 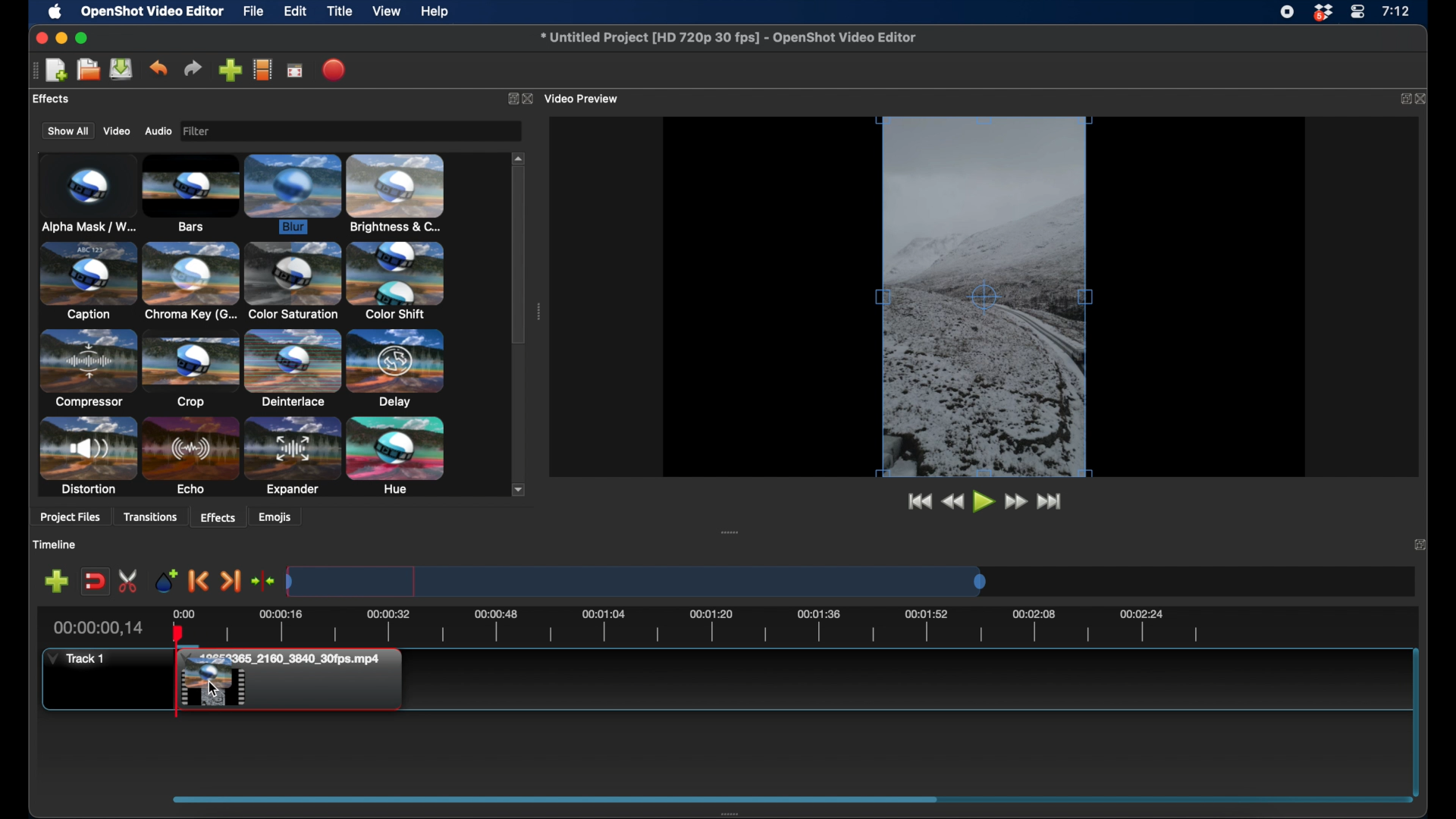 What do you see at coordinates (510, 98) in the screenshot?
I see `expand` at bounding box center [510, 98].